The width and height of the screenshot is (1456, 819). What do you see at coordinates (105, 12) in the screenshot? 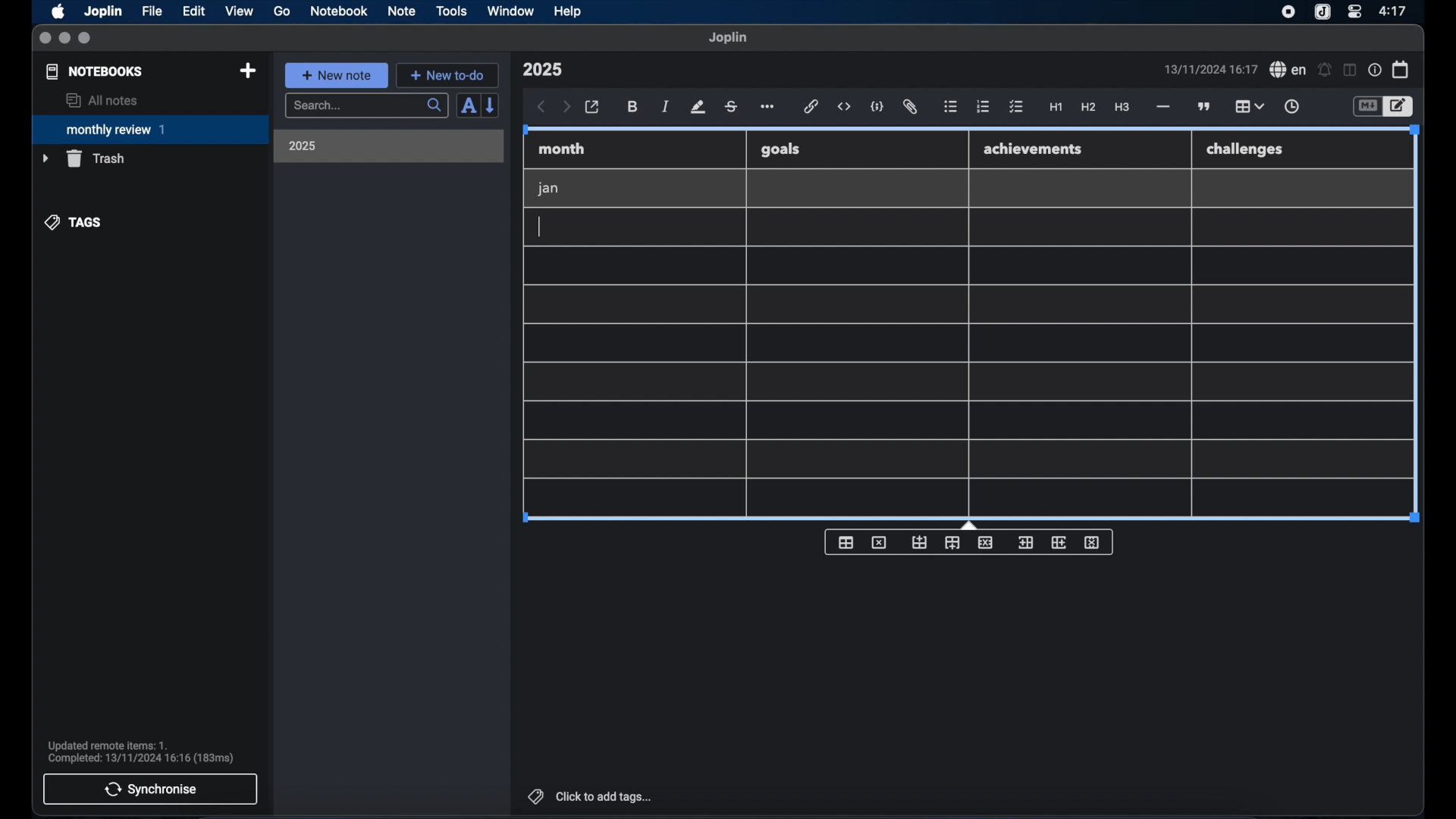
I see `Joplin` at bounding box center [105, 12].